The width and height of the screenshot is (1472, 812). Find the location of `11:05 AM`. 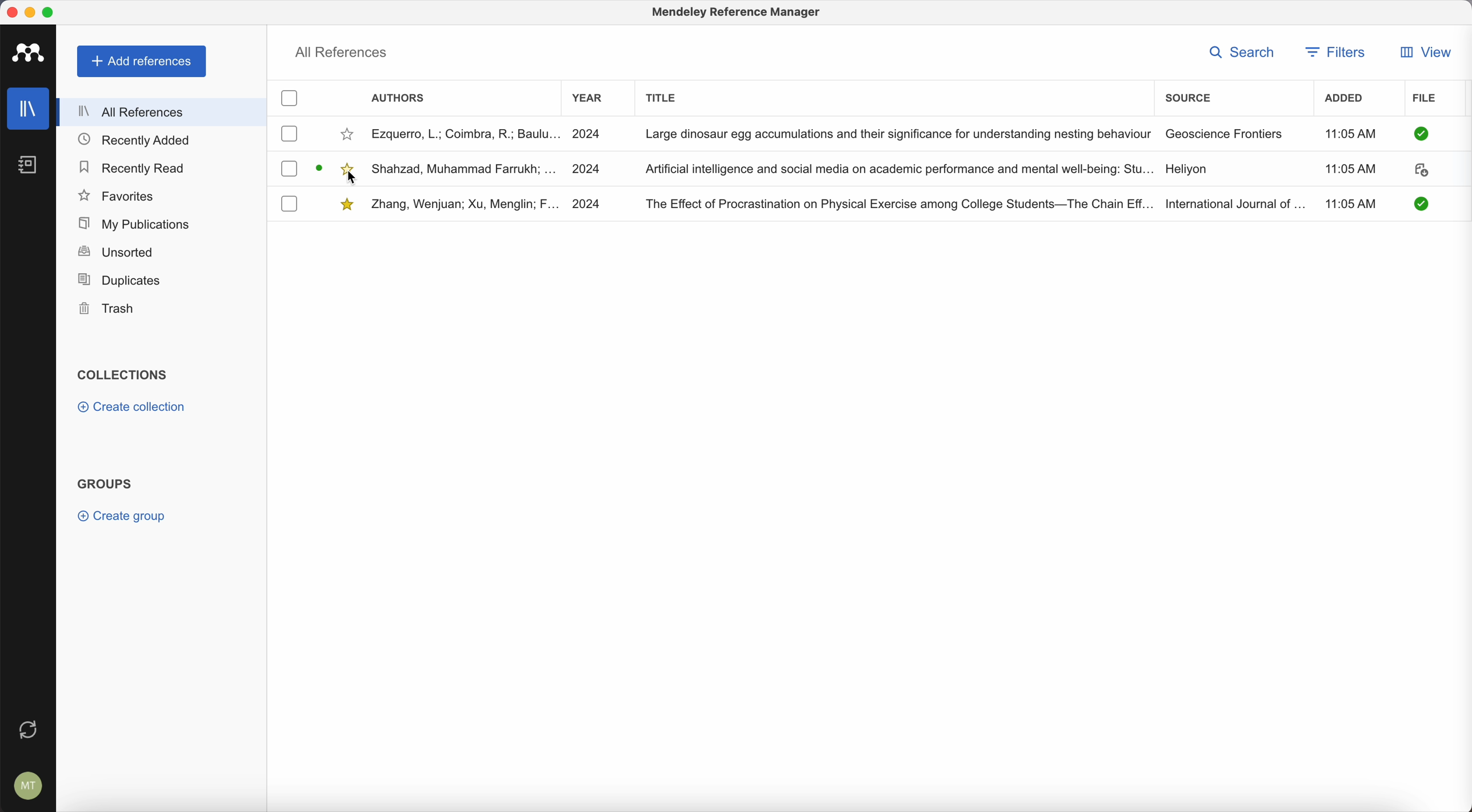

11:05 AM is located at coordinates (1350, 170).